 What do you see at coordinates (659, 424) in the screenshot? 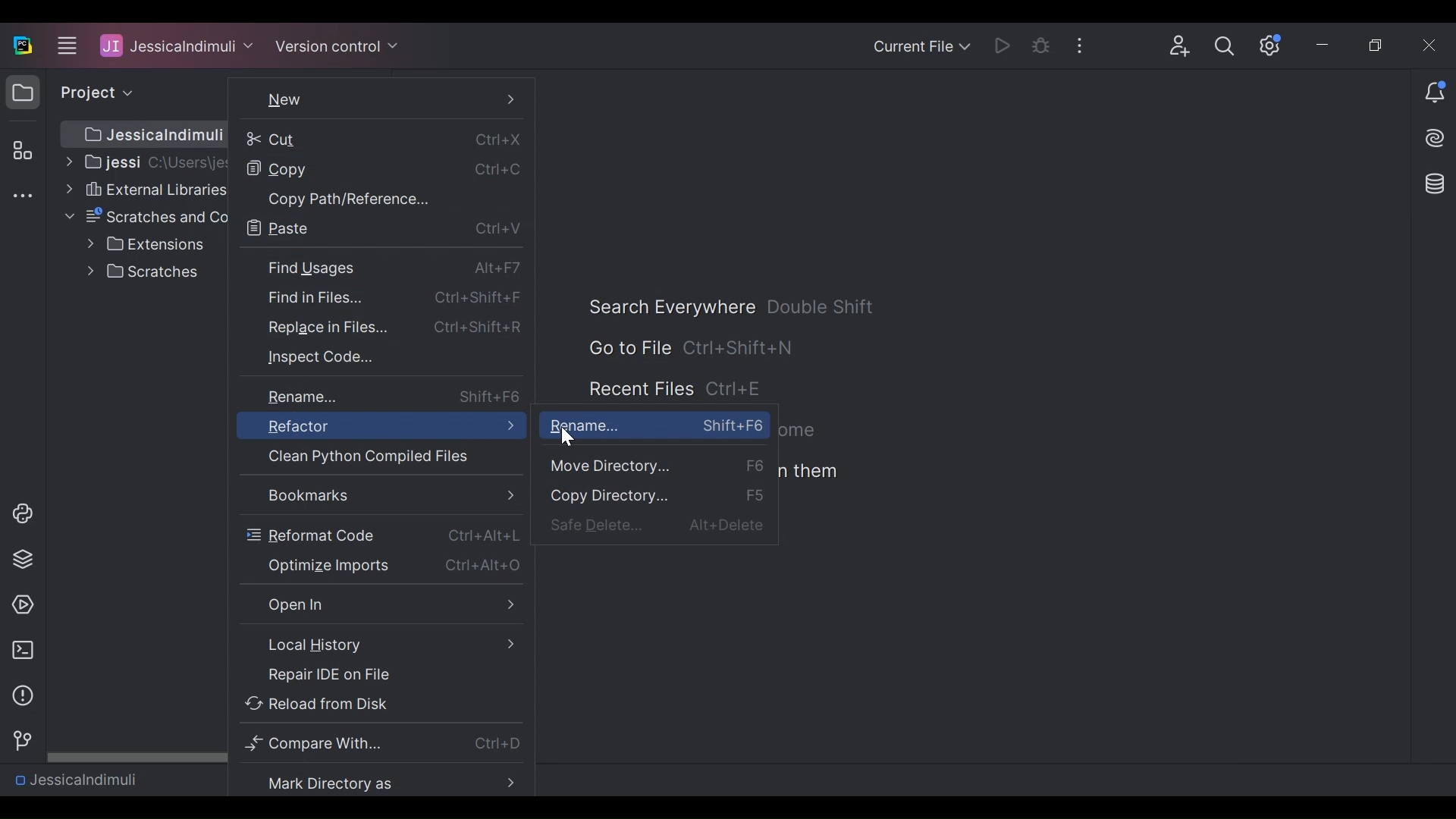
I see `Rename` at bounding box center [659, 424].